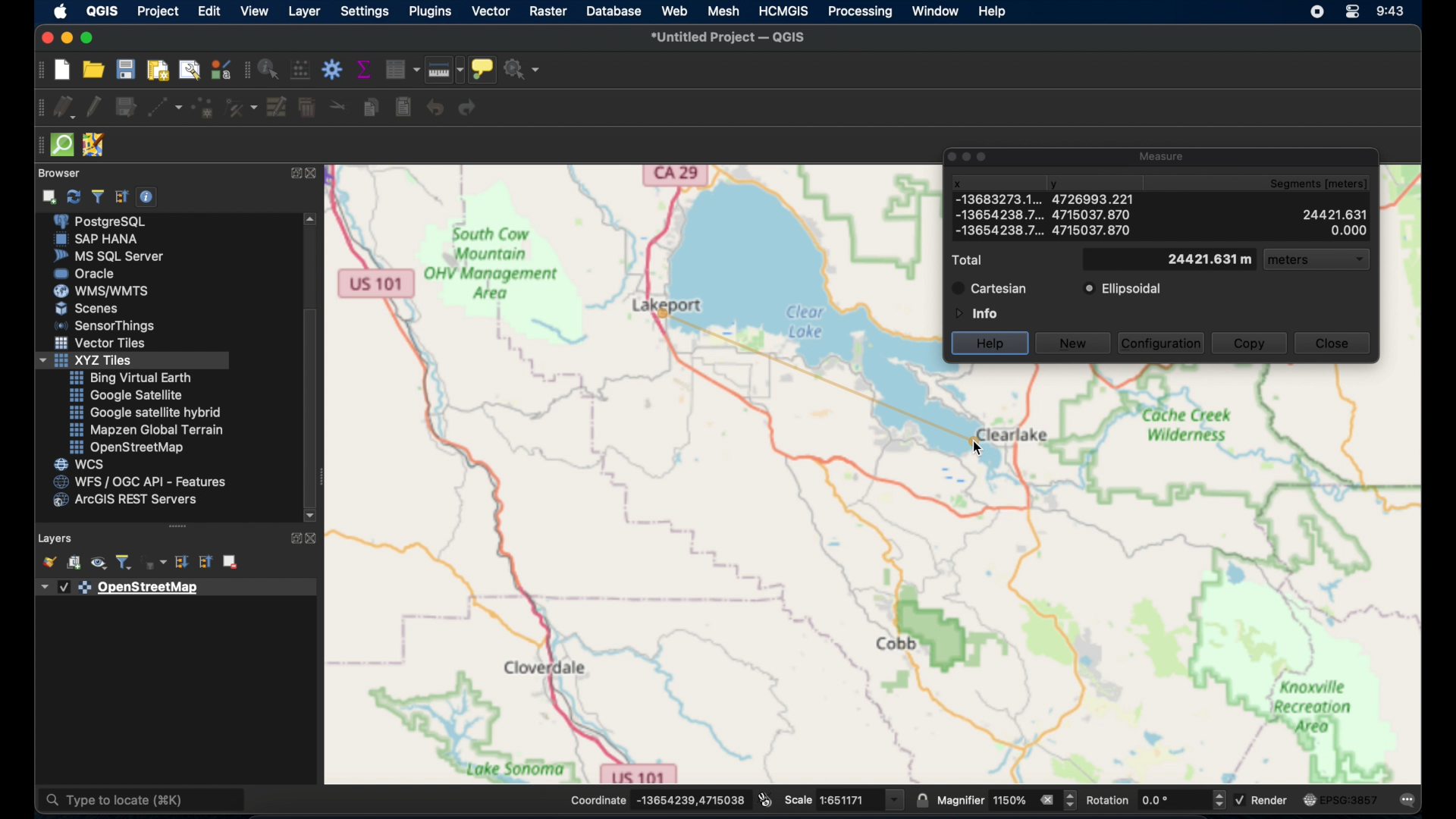 Image resolution: width=1456 pixels, height=819 pixels. I want to click on enable/disable properties widget, so click(146, 197).